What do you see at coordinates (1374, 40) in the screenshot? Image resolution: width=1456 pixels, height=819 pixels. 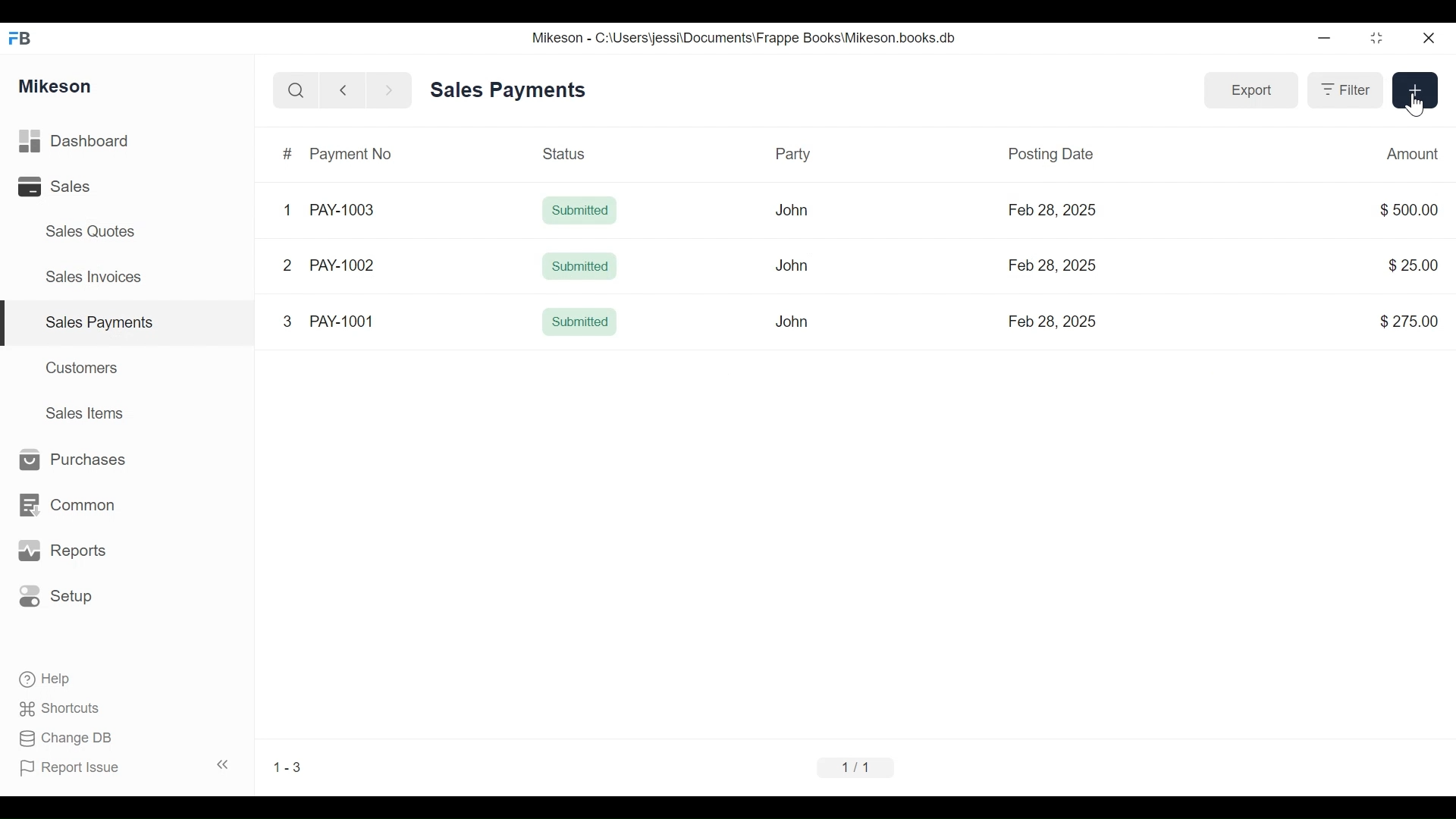 I see `Maximize` at bounding box center [1374, 40].